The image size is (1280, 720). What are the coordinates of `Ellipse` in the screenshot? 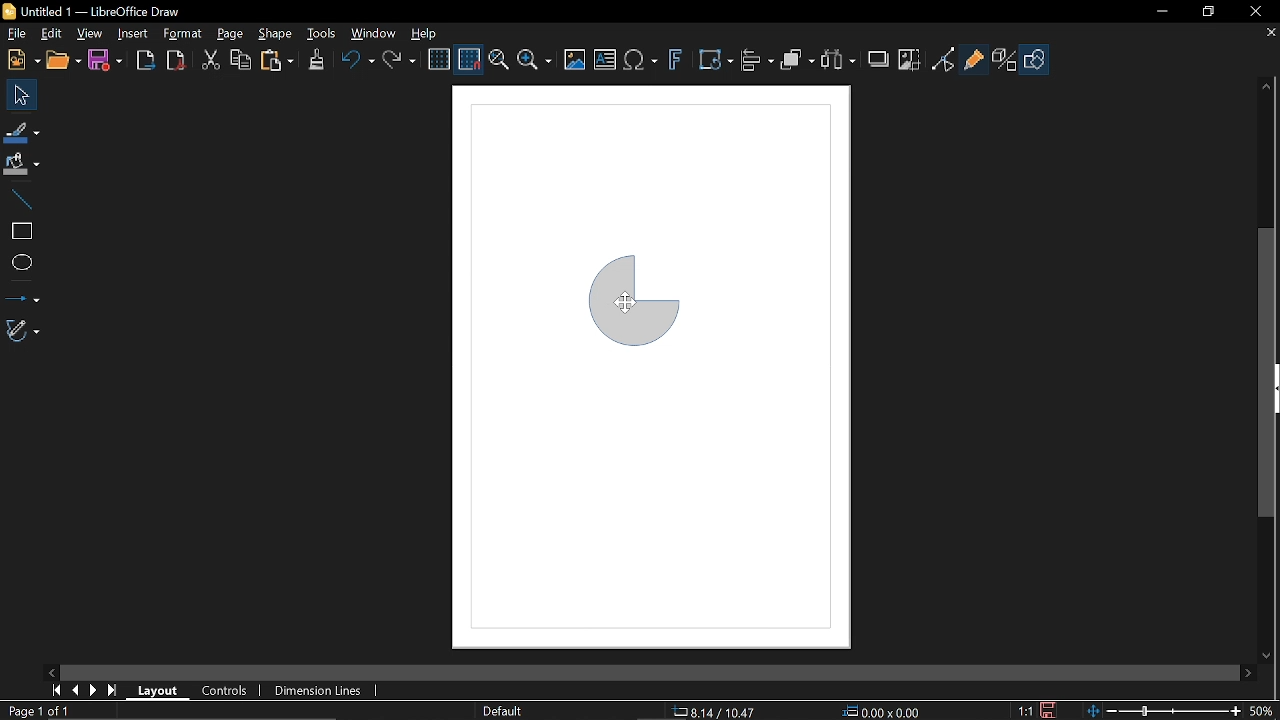 It's located at (21, 262).